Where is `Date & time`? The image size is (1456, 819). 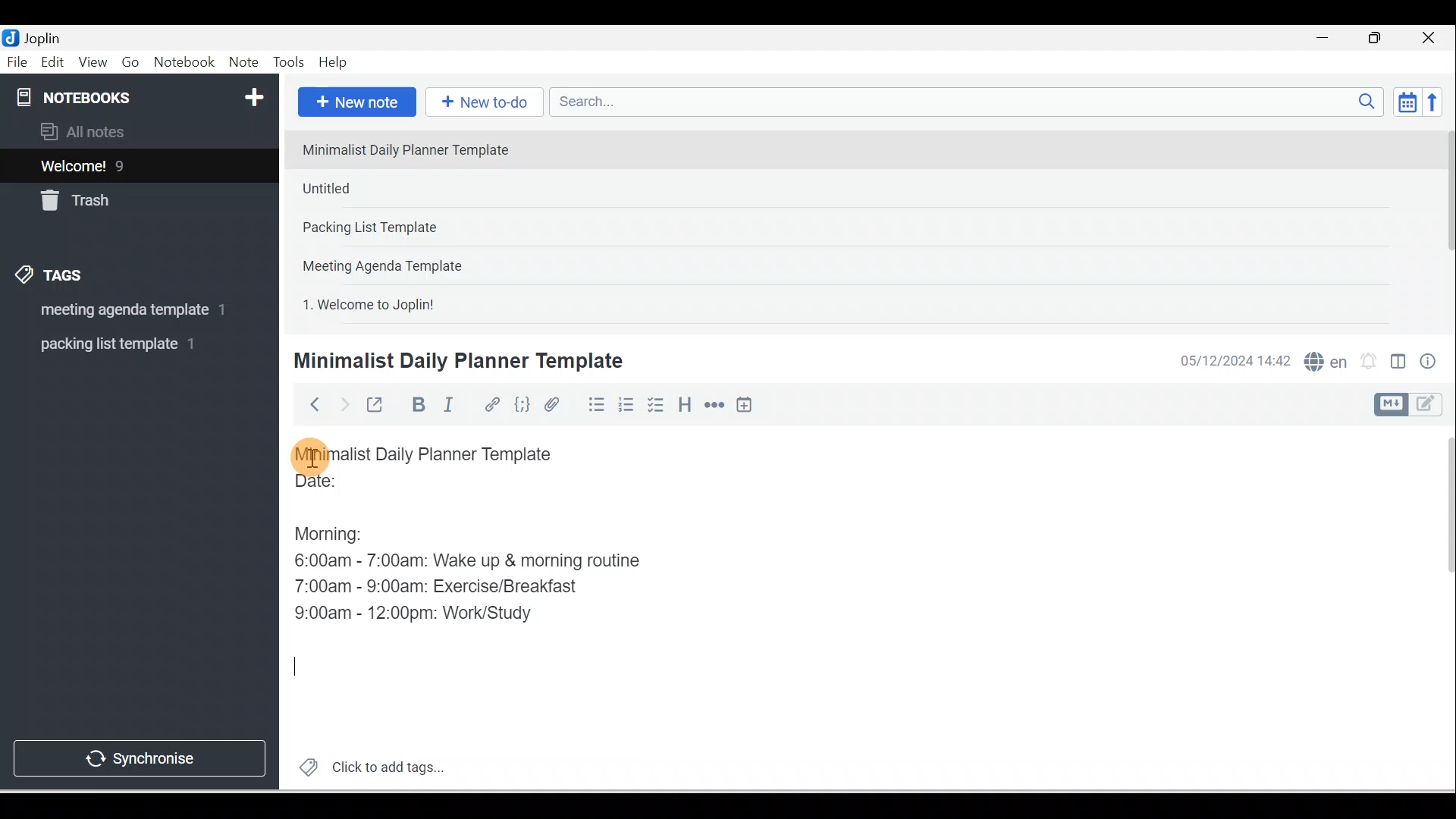
Date & time is located at coordinates (1232, 361).